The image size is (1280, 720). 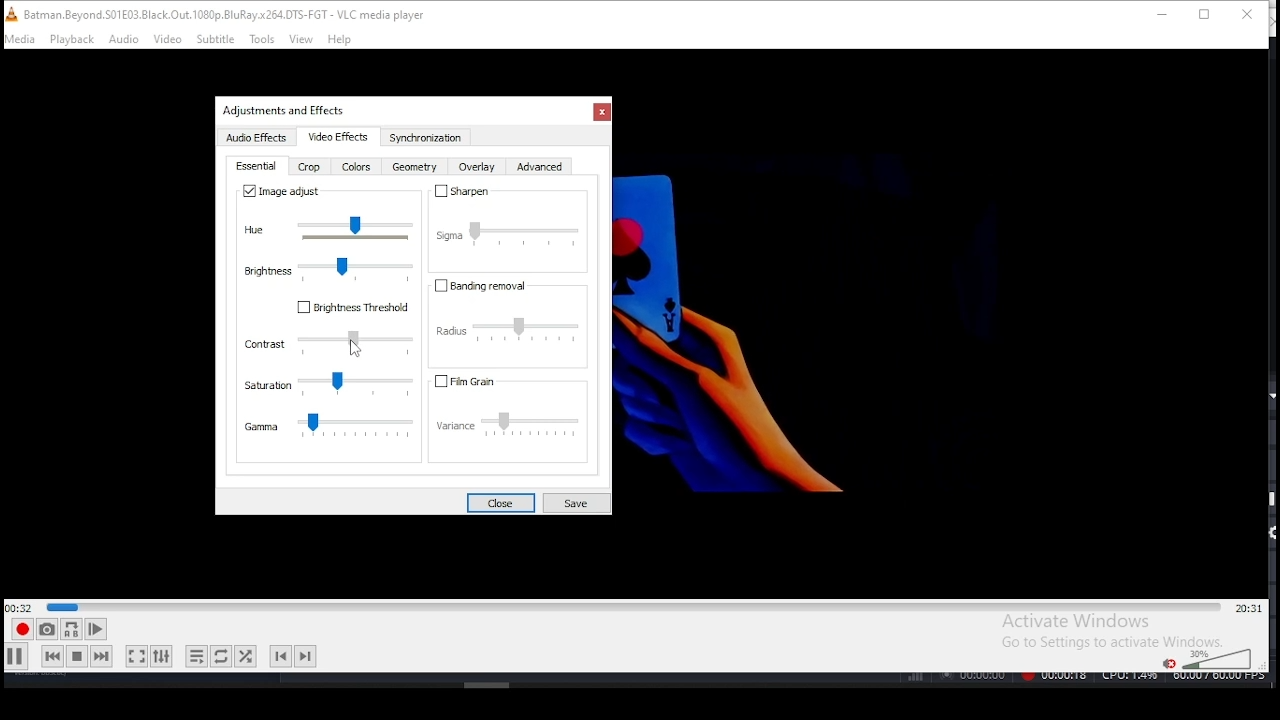 What do you see at coordinates (1166, 662) in the screenshot?
I see `mute/unmute` at bounding box center [1166, 662].